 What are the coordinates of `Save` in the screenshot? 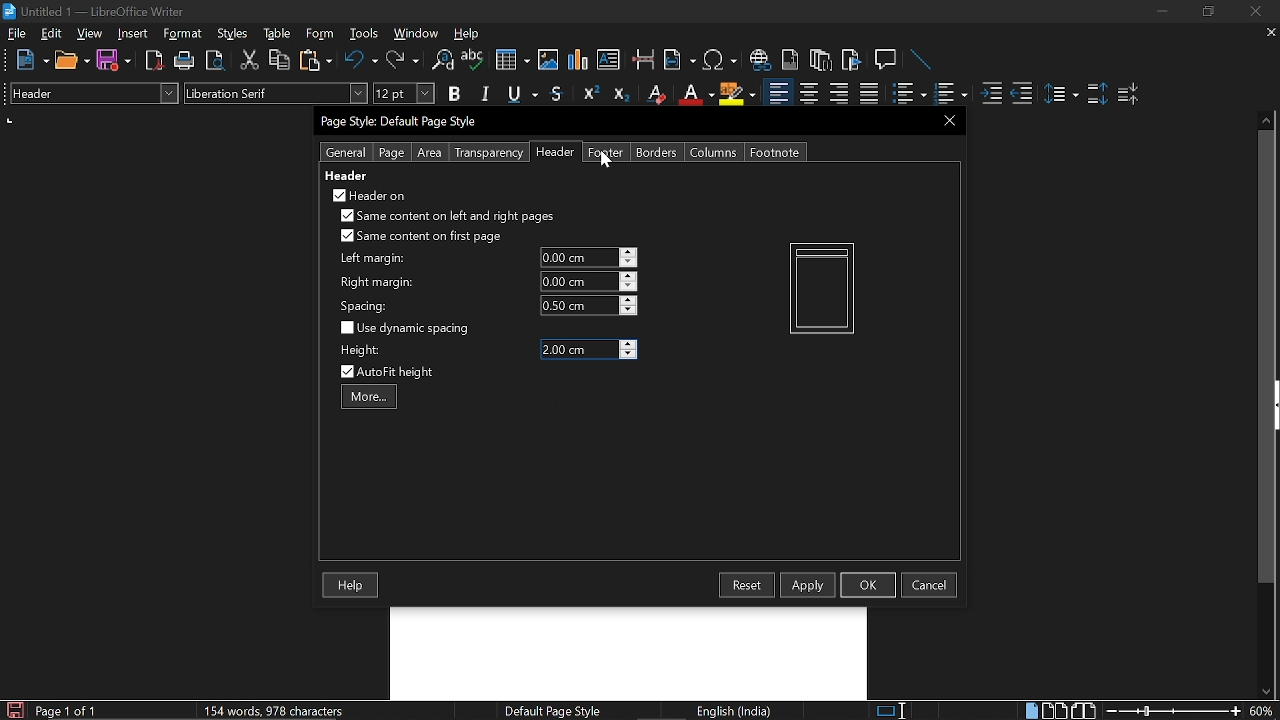 It's located at (13, 710).